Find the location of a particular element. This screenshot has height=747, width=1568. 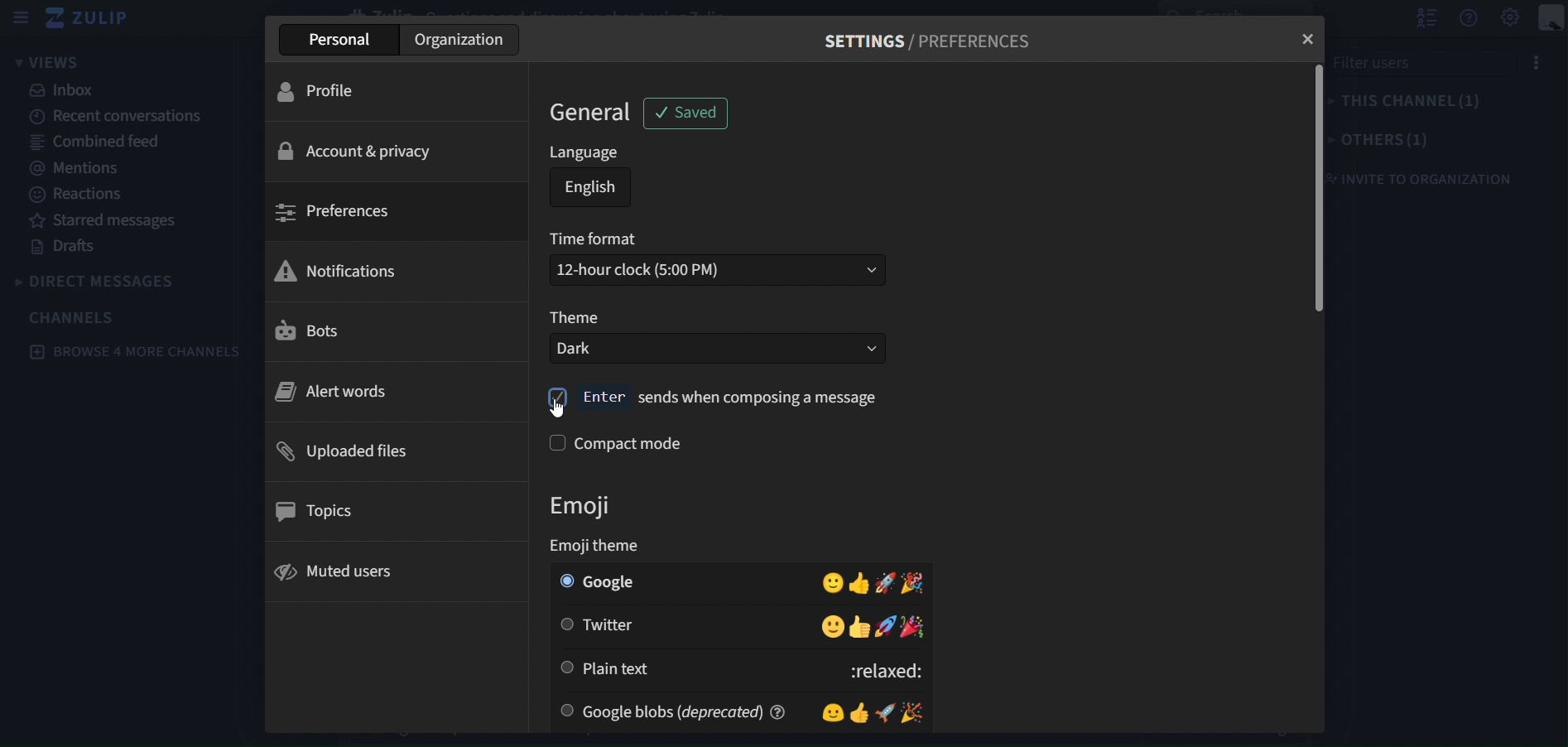

vertical Scrollbar is located at coordinates (1311, 189).